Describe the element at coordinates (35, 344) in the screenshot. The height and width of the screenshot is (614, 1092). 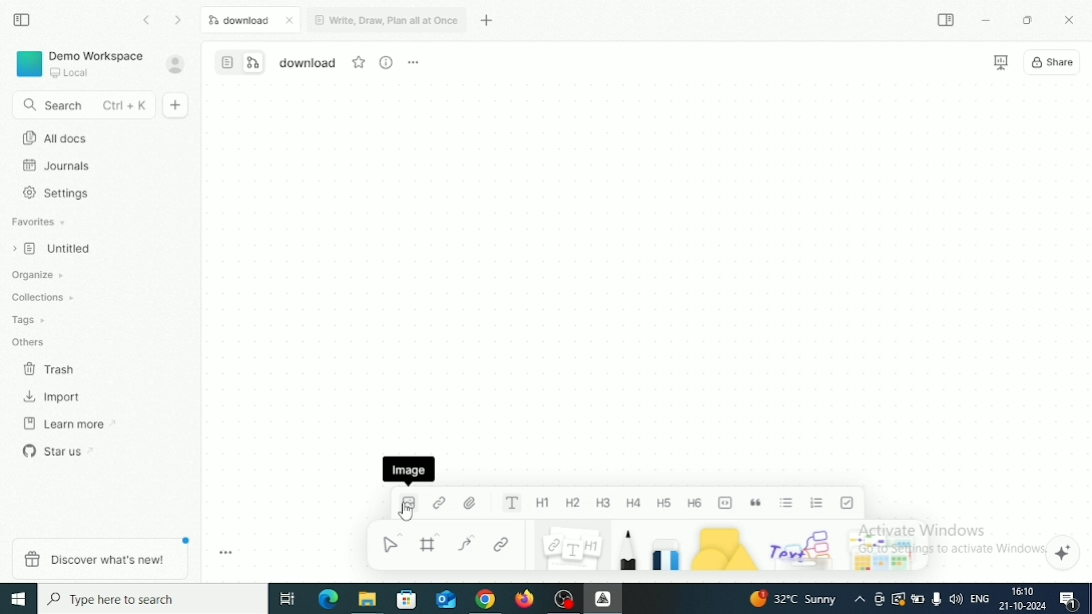
I see `Others` at that location.